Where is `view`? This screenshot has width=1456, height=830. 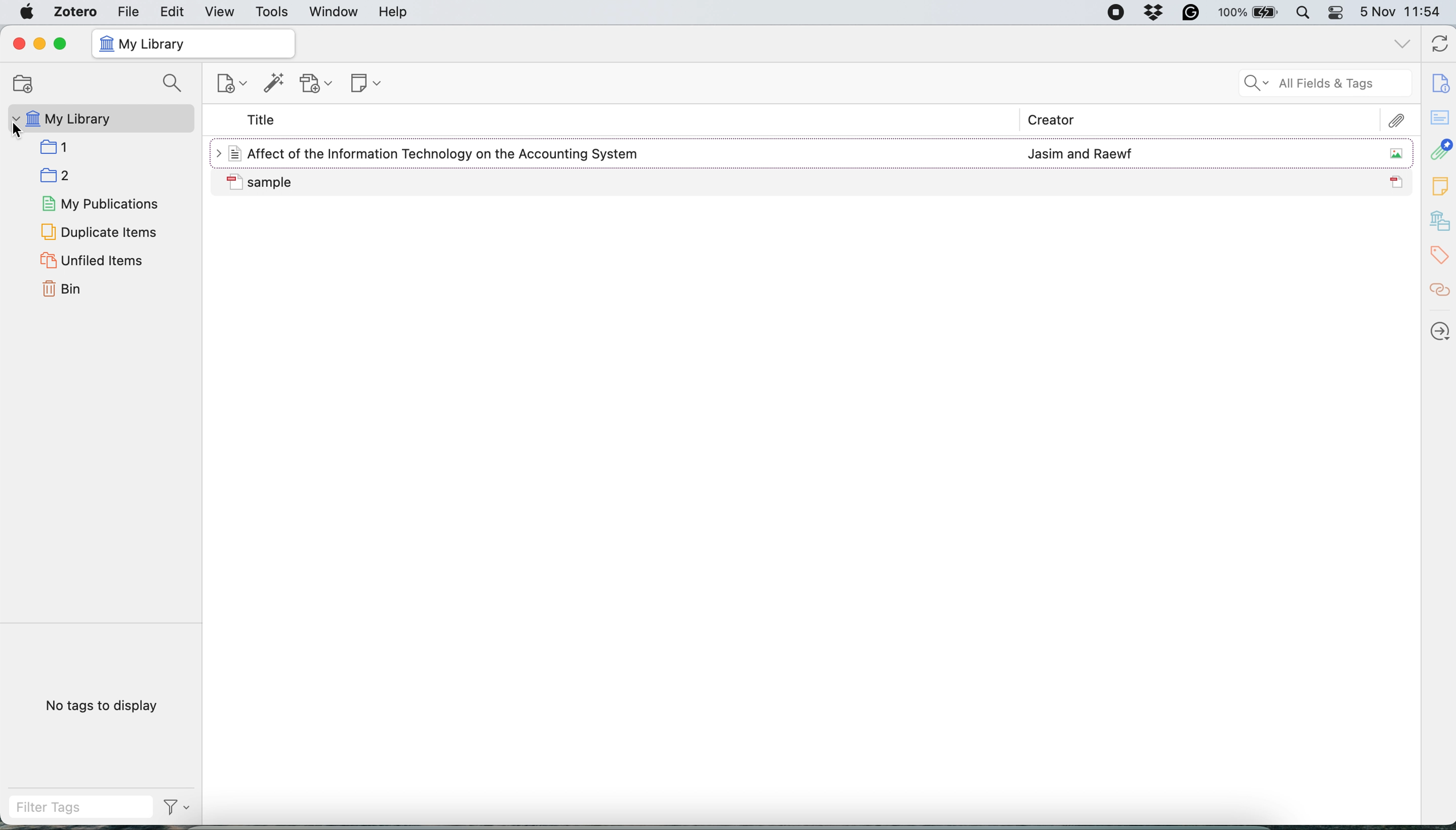
view is located at coordinates (221, 14).